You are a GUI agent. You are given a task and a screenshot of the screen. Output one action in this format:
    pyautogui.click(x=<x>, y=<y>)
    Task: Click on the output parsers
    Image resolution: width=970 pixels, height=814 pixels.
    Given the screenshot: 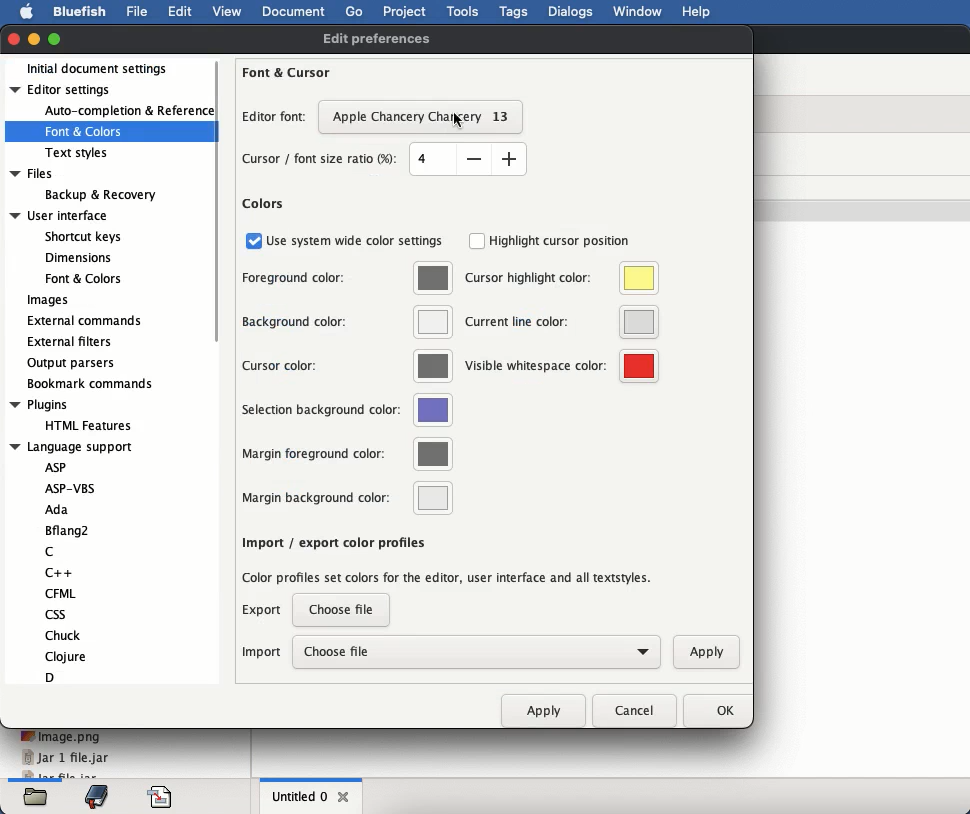 What is the action you would take?
    pyautogui.click(x=73, y=365)
    